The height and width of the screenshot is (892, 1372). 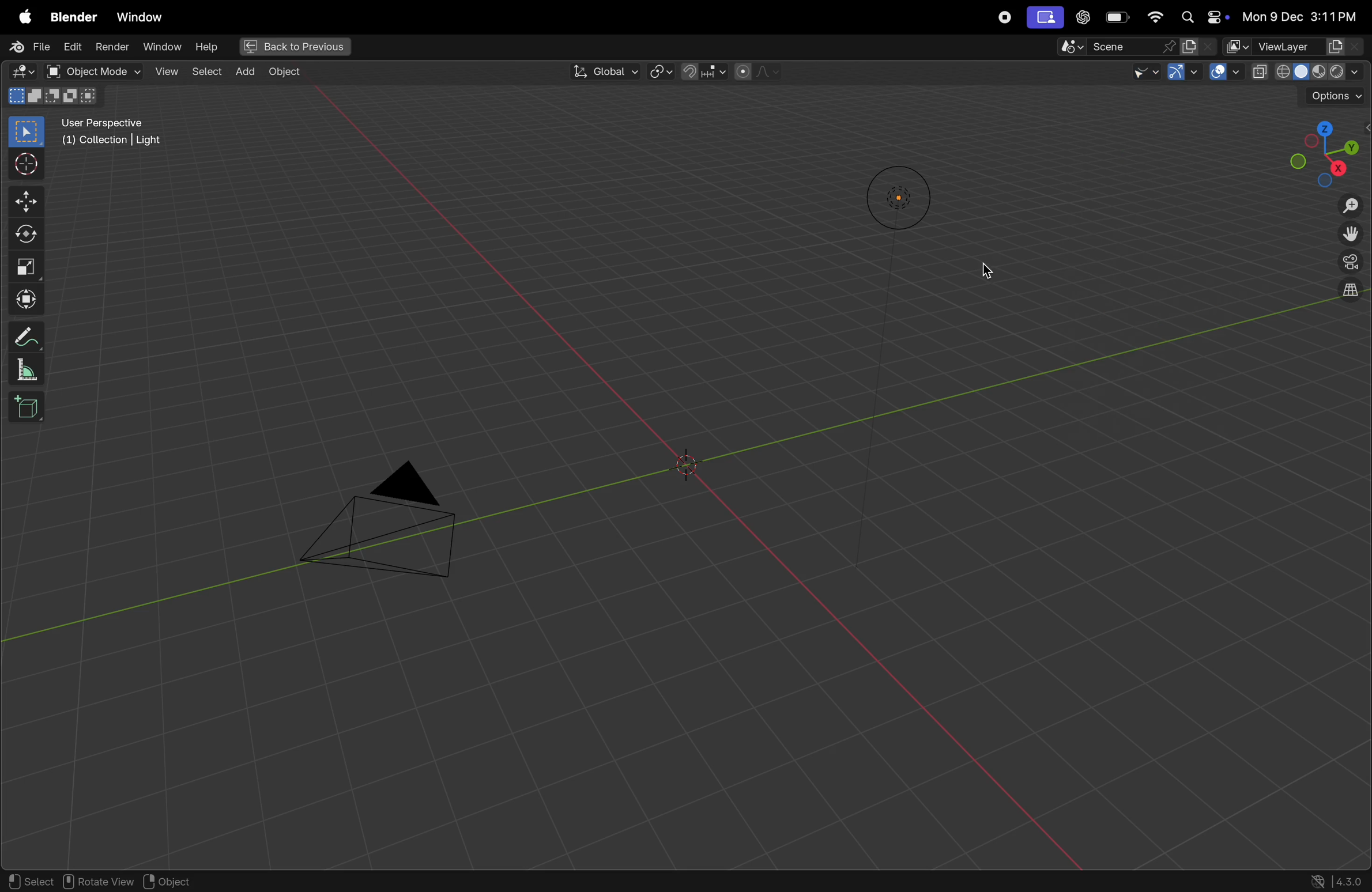 What do you see at coordinates (99, 881) in the screenshot?
I see `rotate view` at bounding box center [99, 881].